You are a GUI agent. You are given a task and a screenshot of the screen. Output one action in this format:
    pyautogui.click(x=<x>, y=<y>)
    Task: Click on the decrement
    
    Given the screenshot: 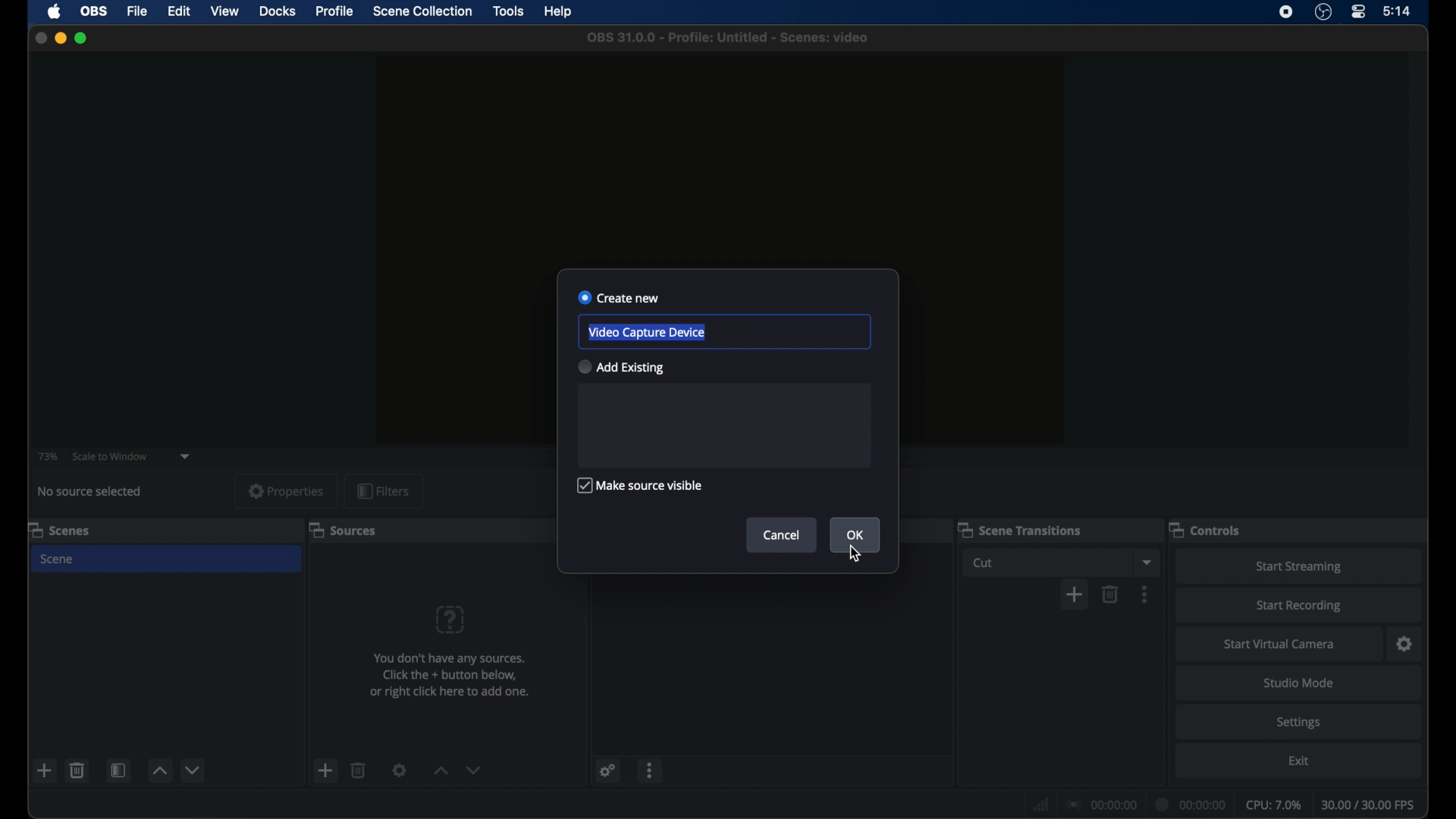 What is the action you would take?
    pyautogui.click(x=474, y=770)
    